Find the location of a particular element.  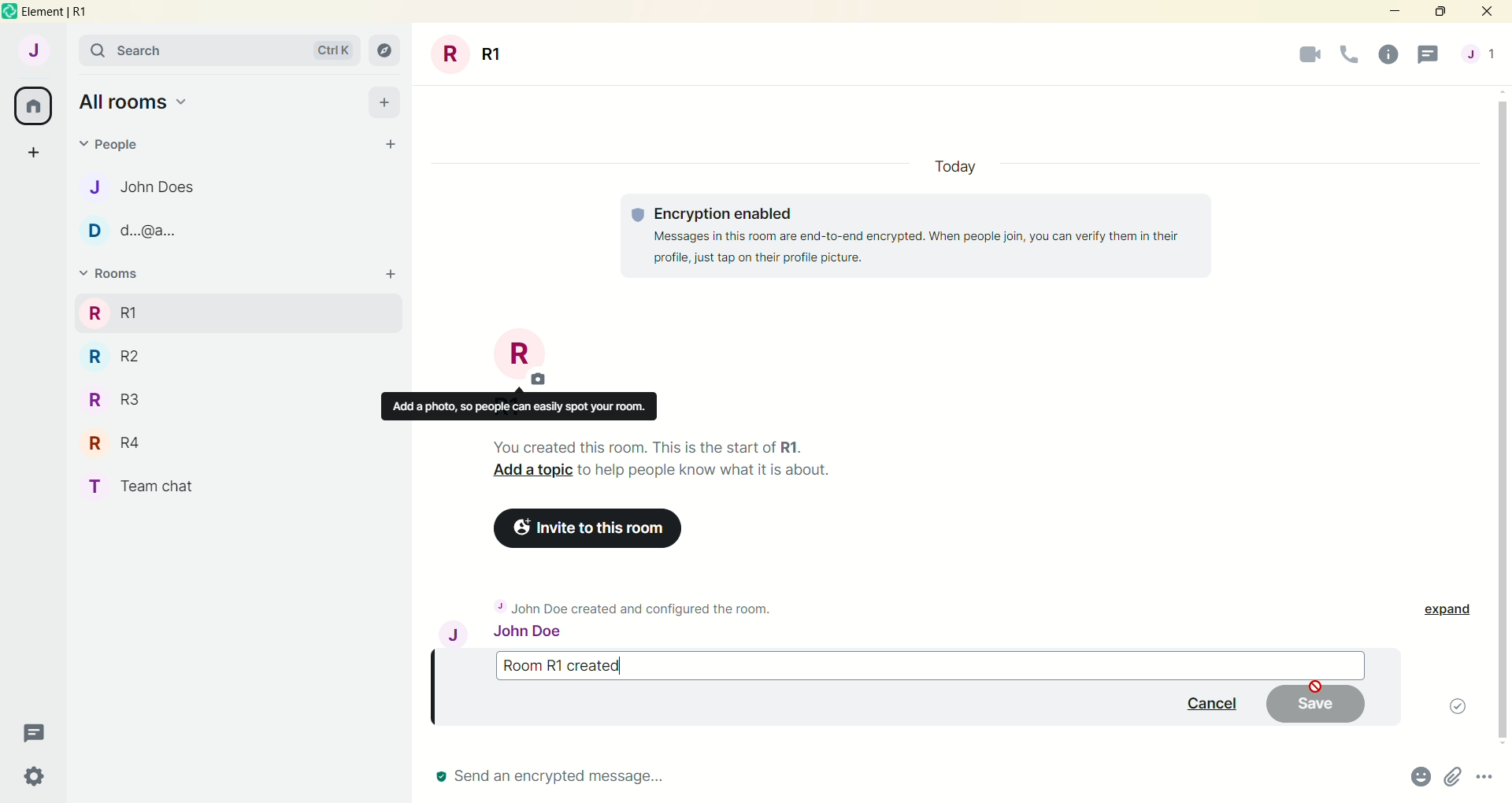

D d.@a. is located at coordinates (133, 231).